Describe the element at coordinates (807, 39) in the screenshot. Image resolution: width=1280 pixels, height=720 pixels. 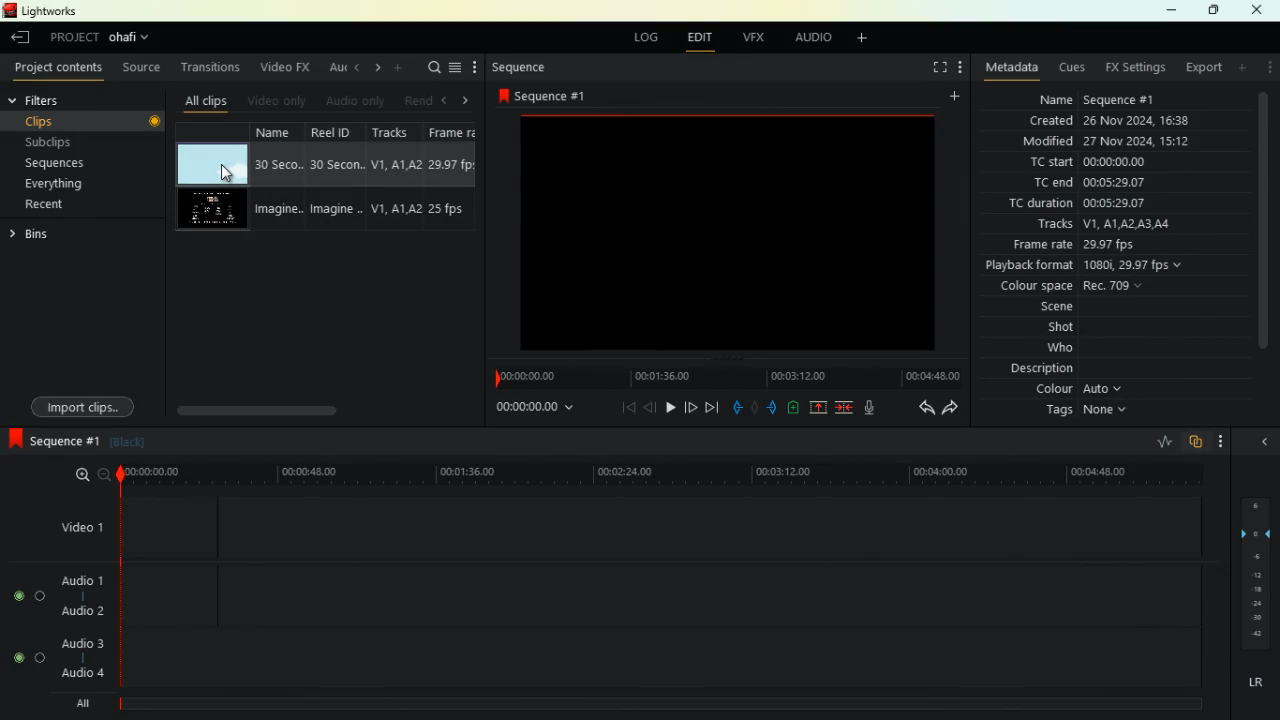
I see `audio` at that location.